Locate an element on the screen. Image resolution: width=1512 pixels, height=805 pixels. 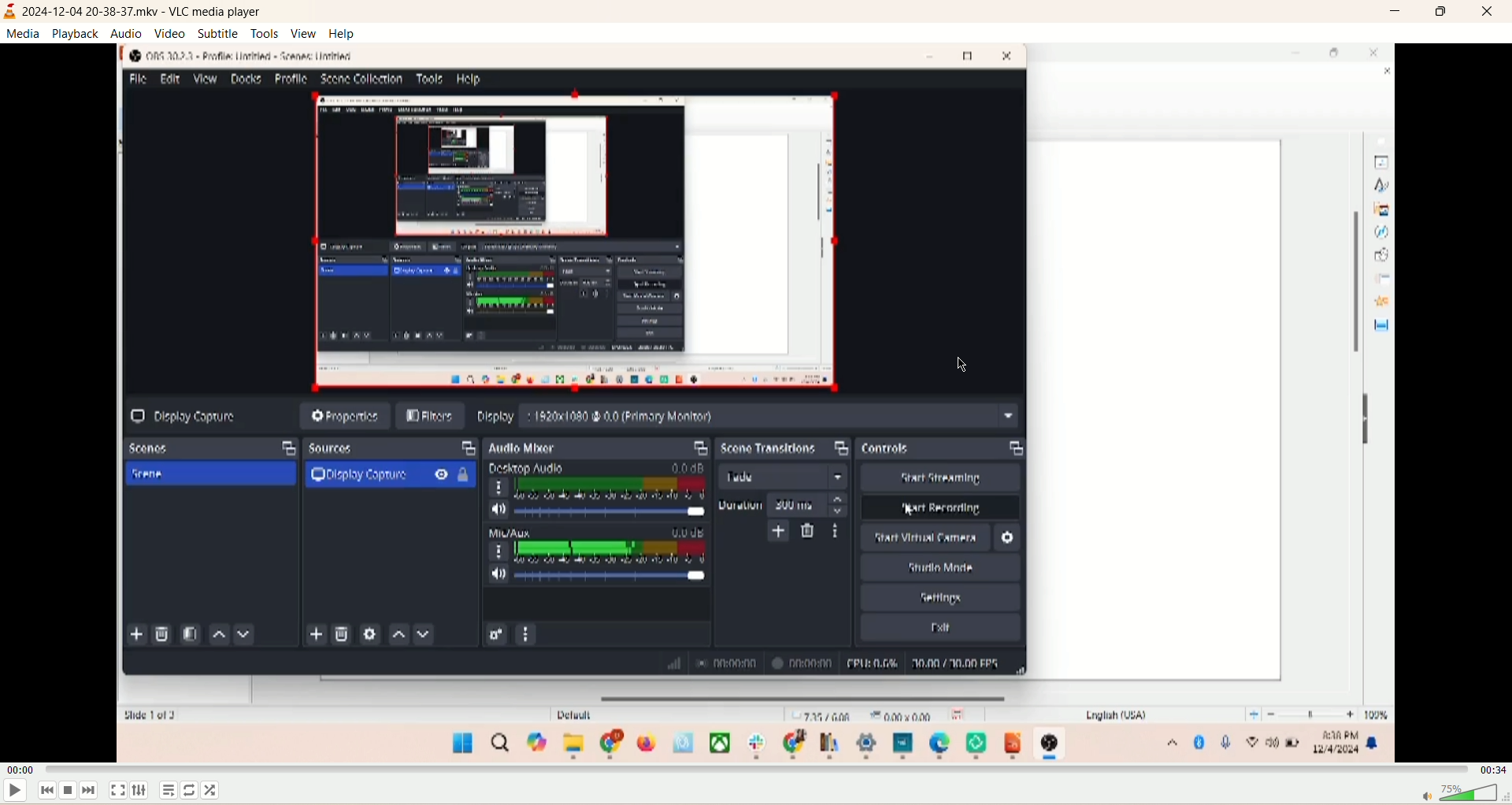
close is located at coordinates (1482, 12).